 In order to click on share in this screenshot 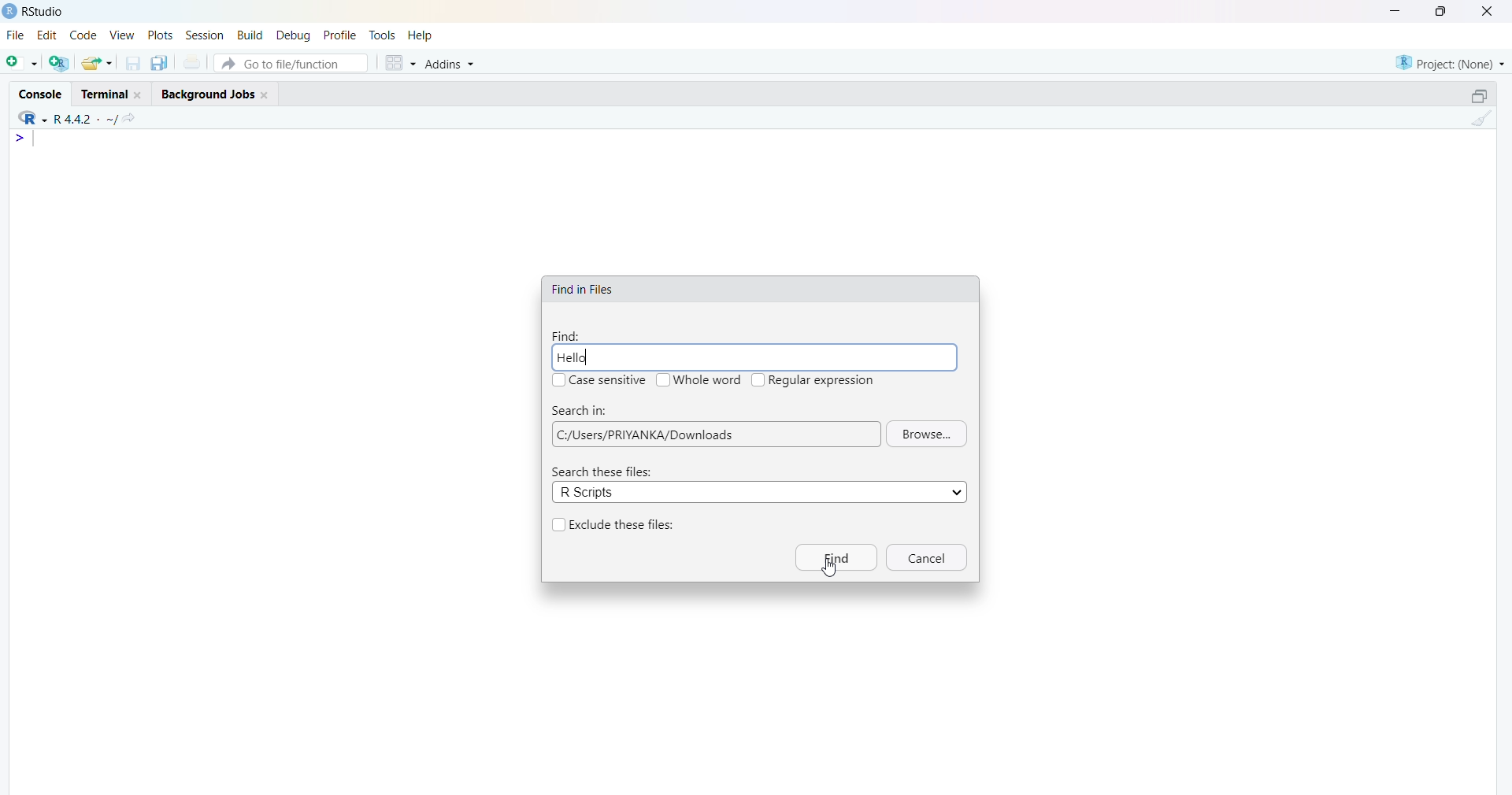, I will do `click(132, 118)`.